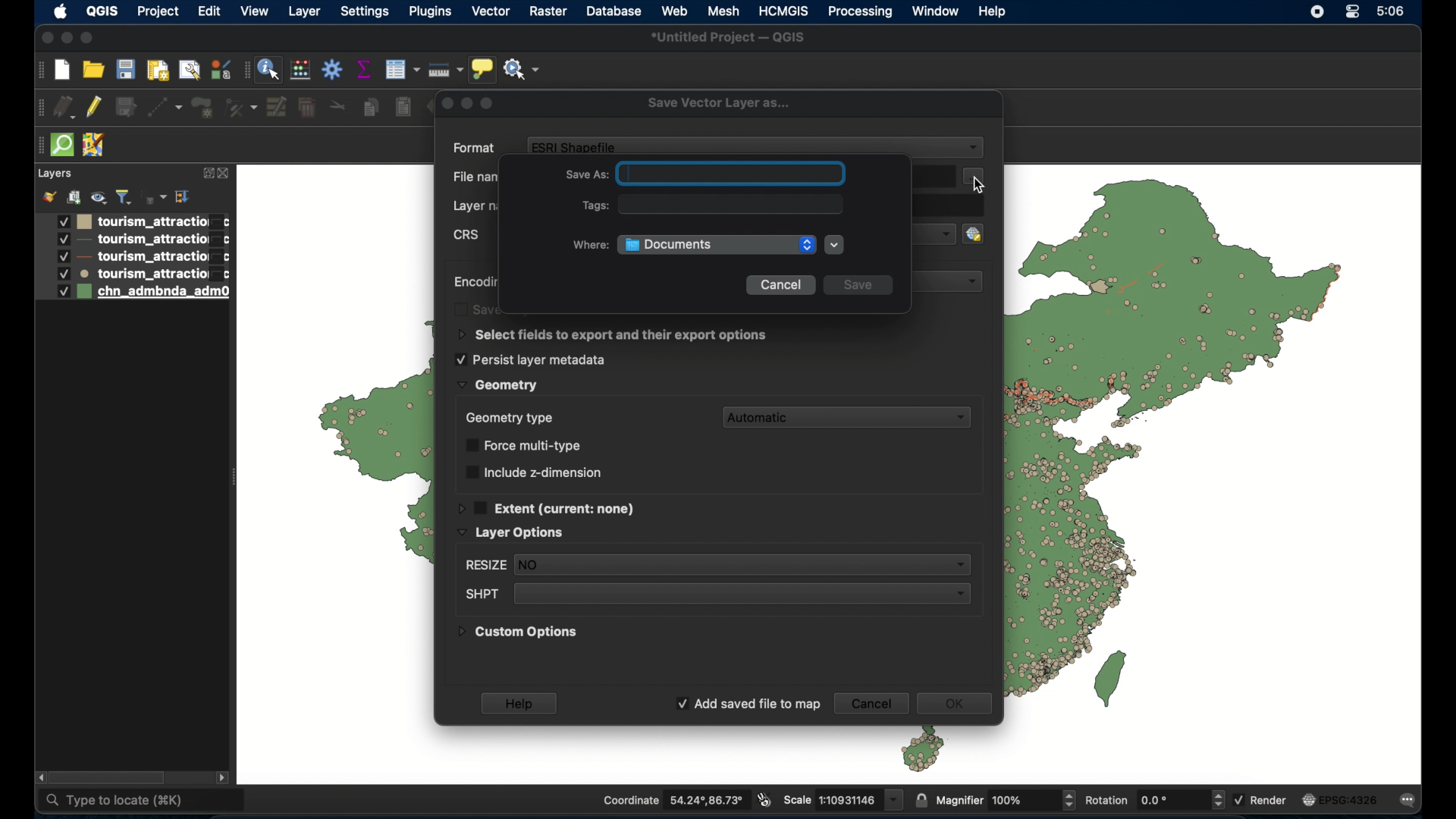  What do you see at coordinates (861, 284) in the screenshot?
I see `save` at bounding box center [861, 284].